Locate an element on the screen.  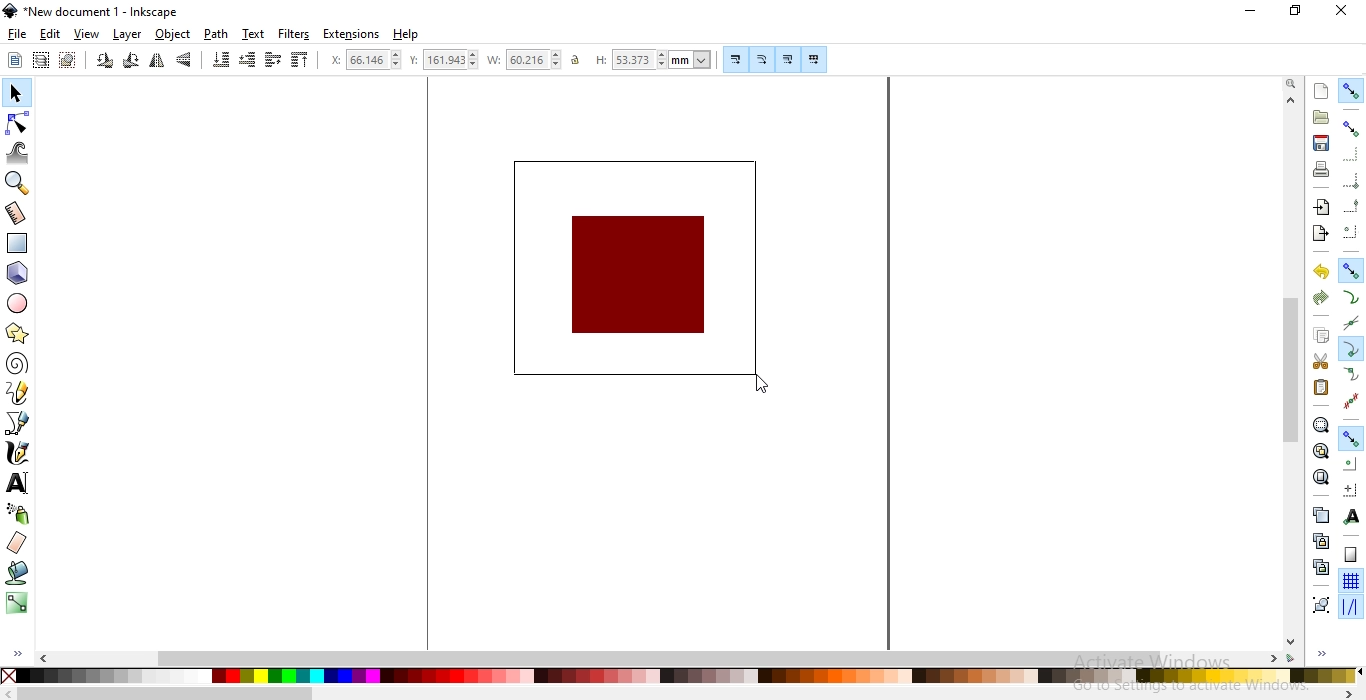
enable snapping is located at coordinates (1352, 89).